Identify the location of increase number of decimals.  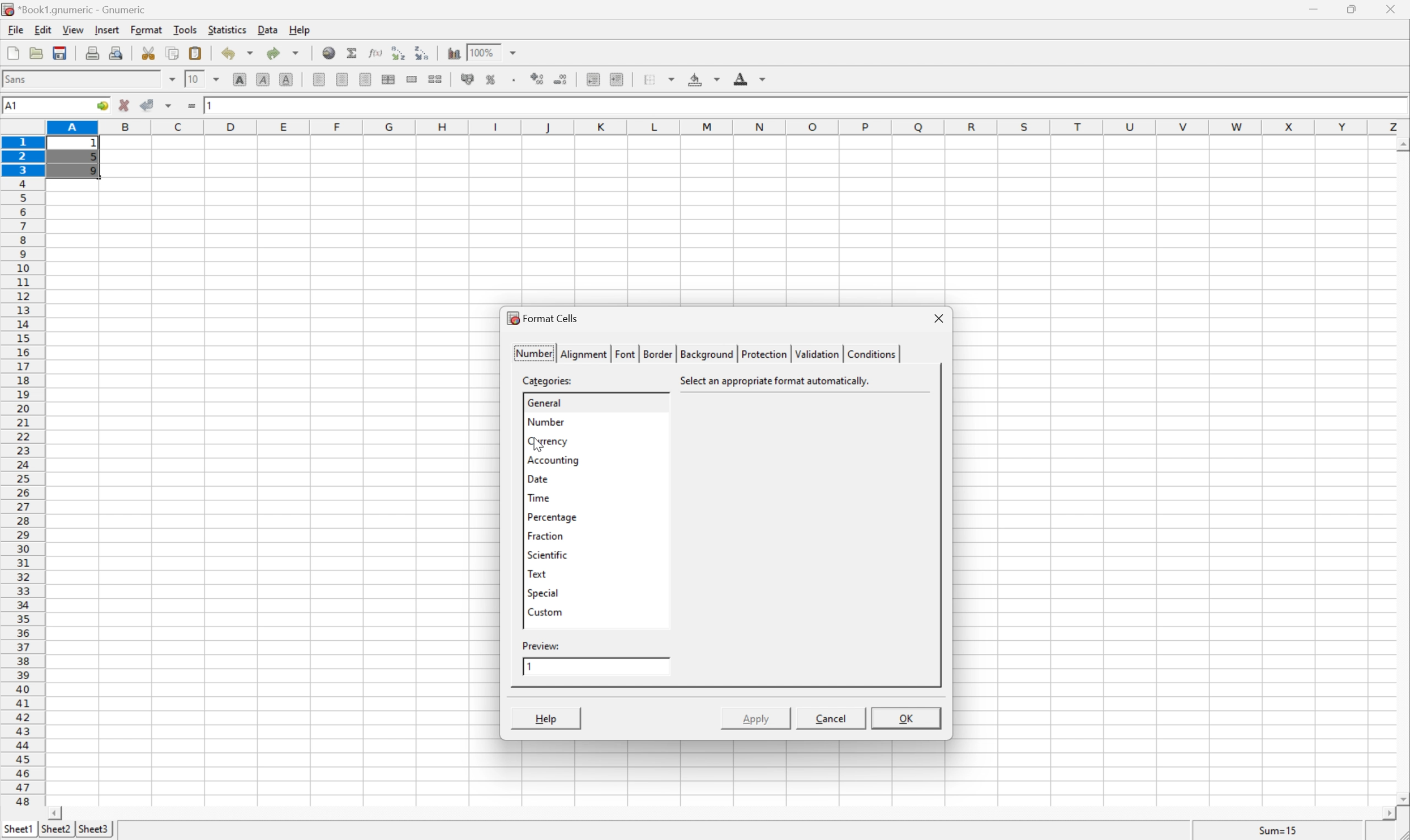
(538, 79).